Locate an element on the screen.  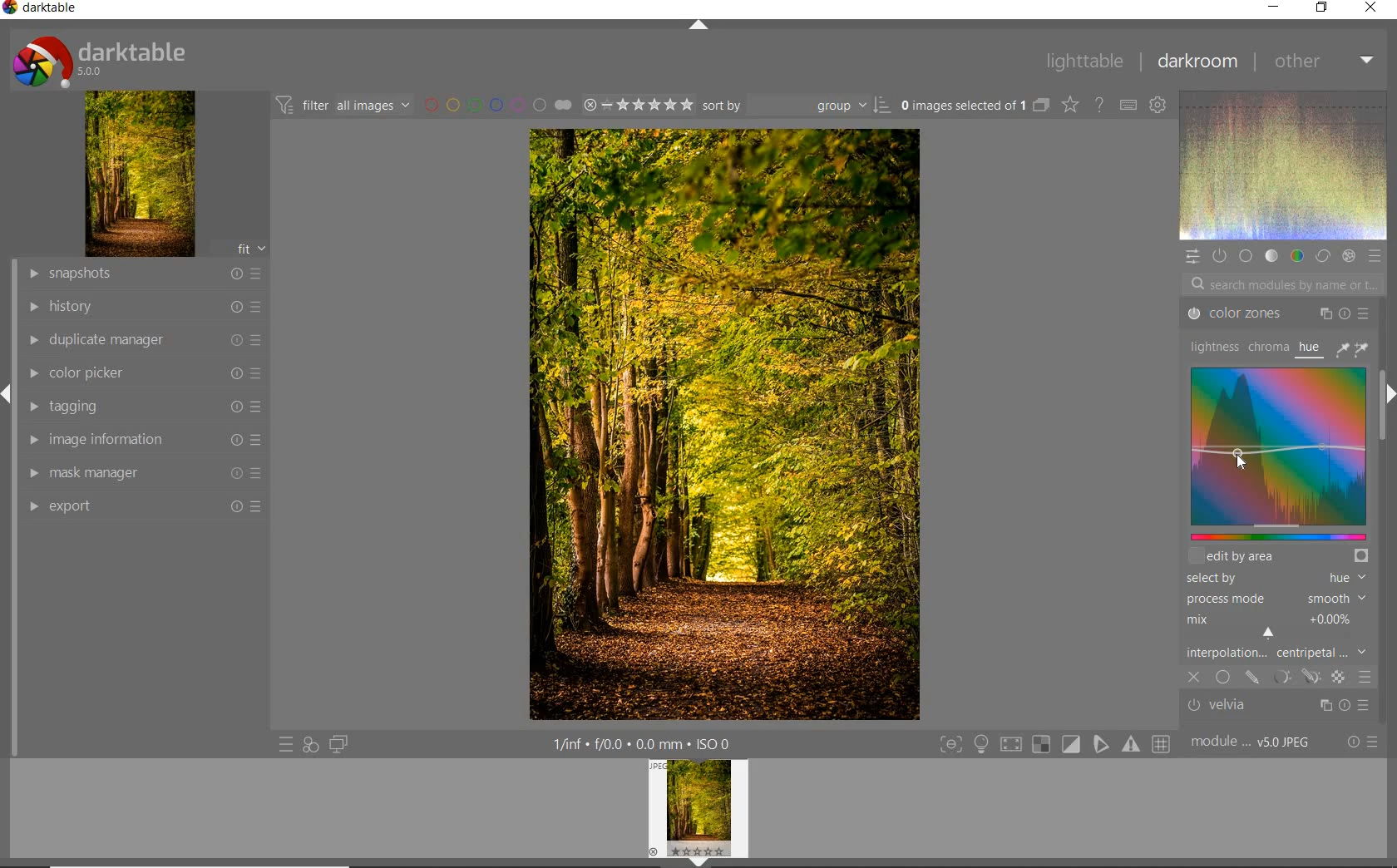
LIGHTTABLE is located at coordinates (1085, 62).